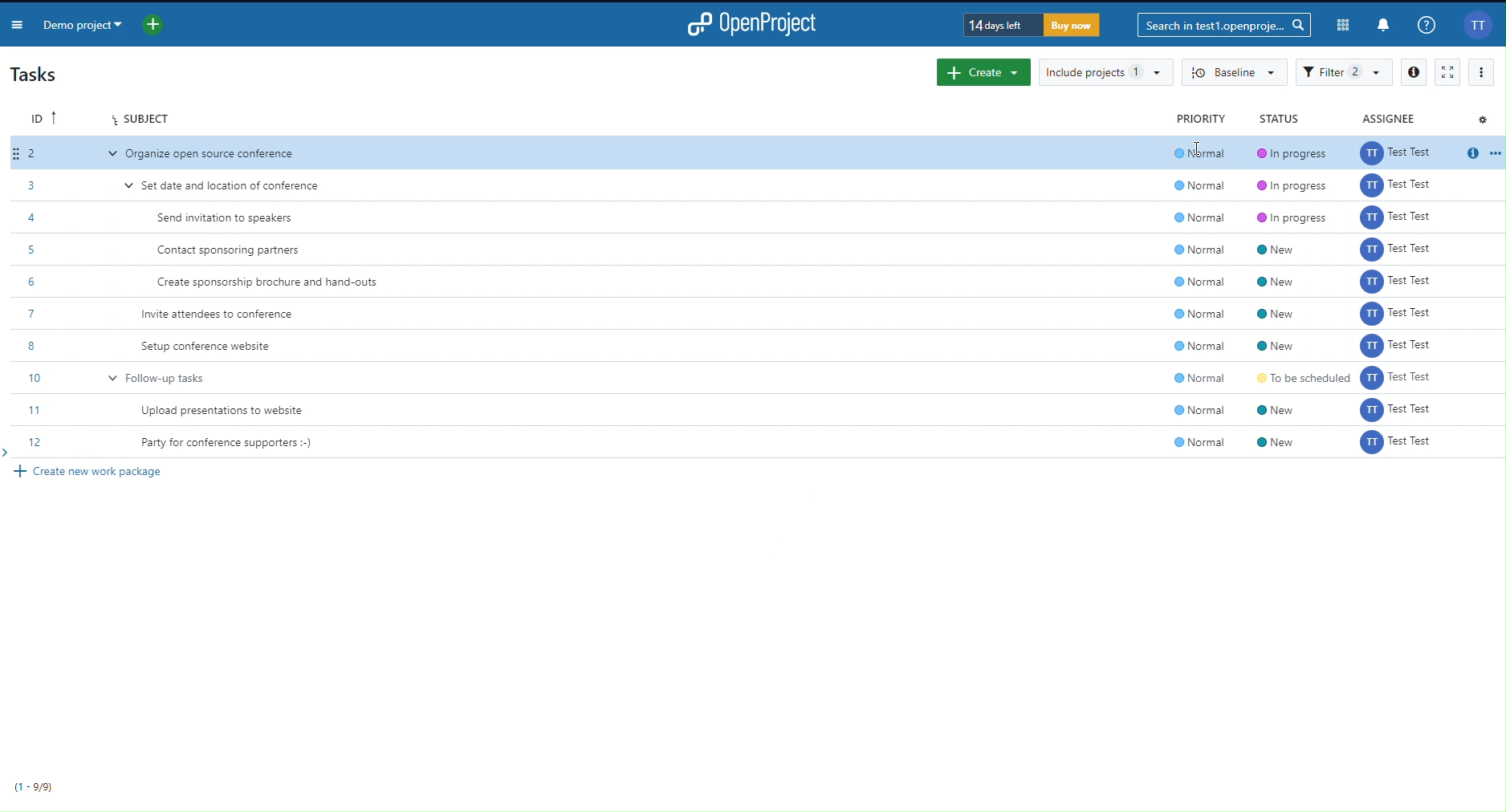  I want to click on 7 Invite attendees to conference @ Normal @ New QQ Test Test, so click(757, 314).